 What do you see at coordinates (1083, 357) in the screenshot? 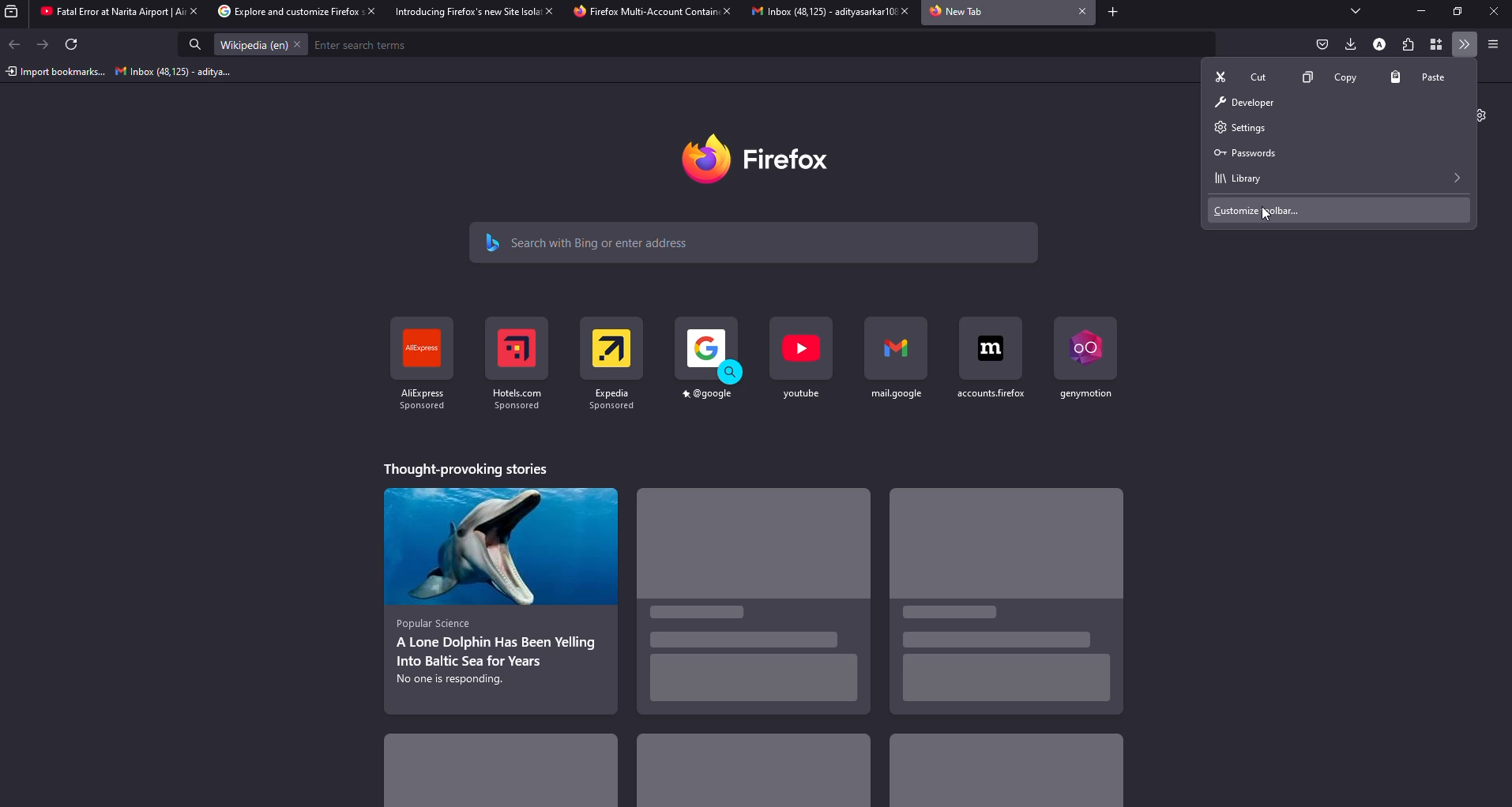
I see `shortcut` at bounding box center [1083, 357].